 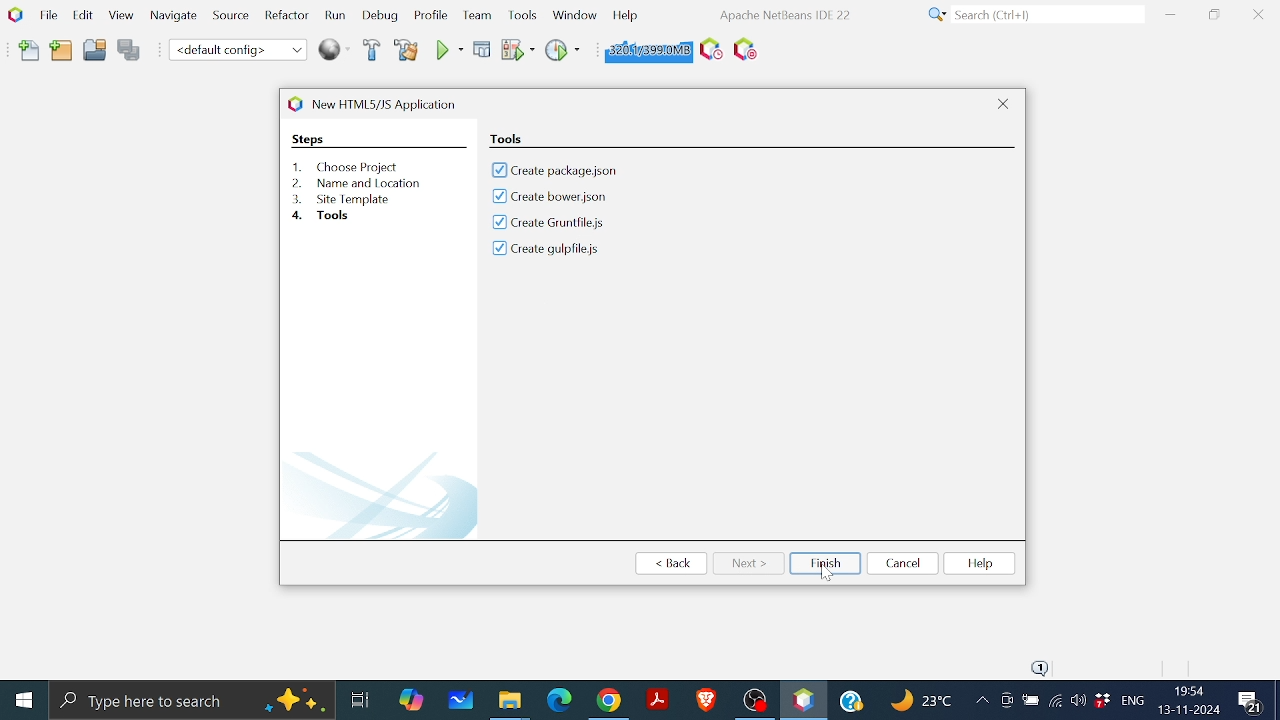 I want to click on Date and time, so click(x=1188, y=701).